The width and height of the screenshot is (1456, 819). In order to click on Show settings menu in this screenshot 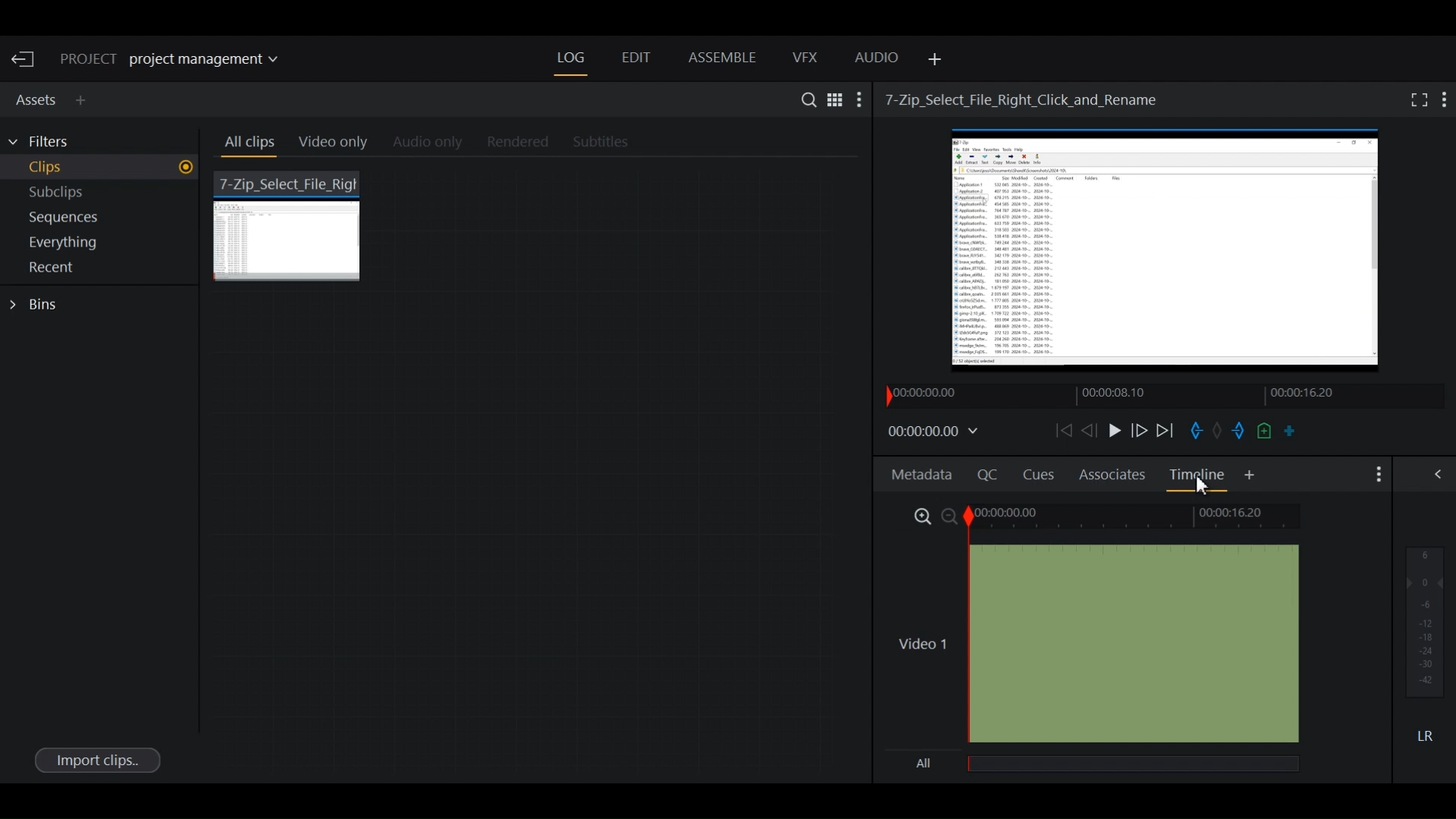, I will do `click(1376, 475)`.